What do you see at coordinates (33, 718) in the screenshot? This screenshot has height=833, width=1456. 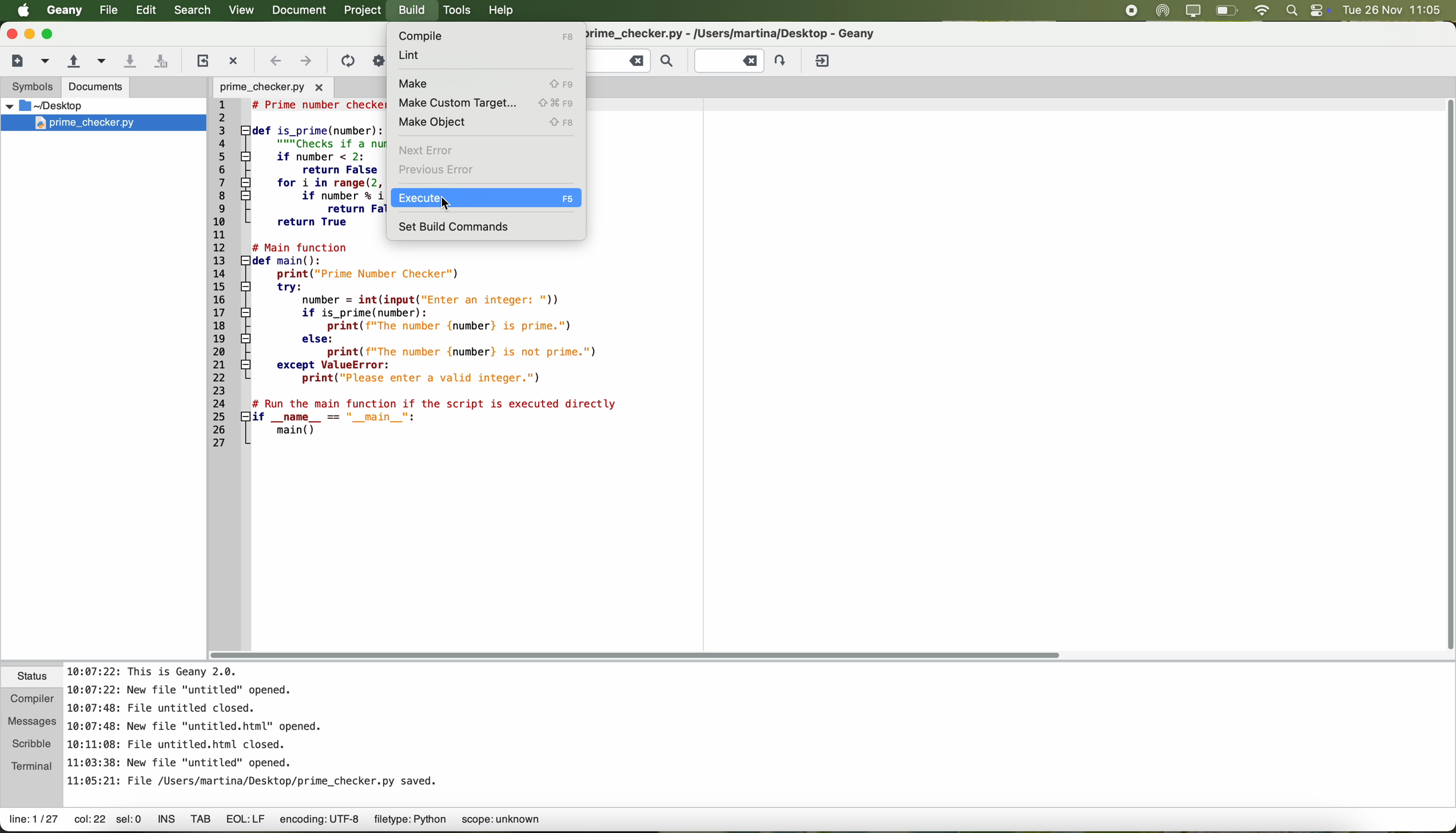 I see `messages` at bounding box center [33, 718].